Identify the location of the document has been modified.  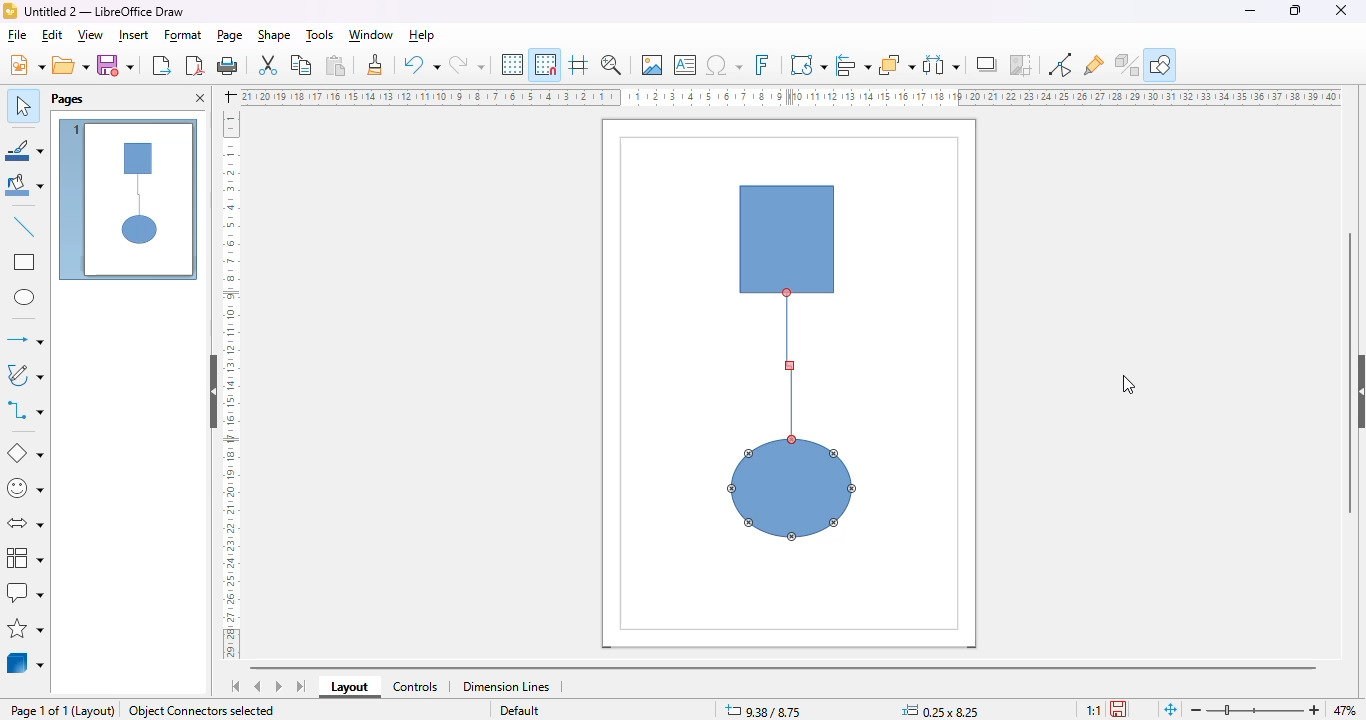
(1120, 708).